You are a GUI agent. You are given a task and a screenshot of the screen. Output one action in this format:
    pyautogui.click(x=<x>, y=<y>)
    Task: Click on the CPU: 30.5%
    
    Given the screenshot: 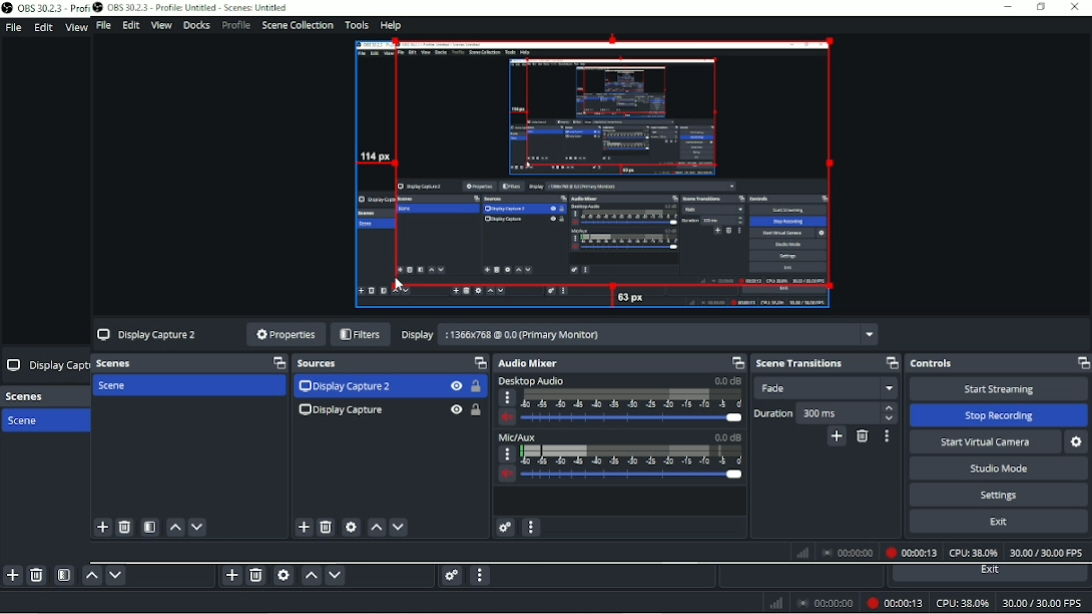 What is the action you would take?
    pyautogui.click(x=971, y=551)
    